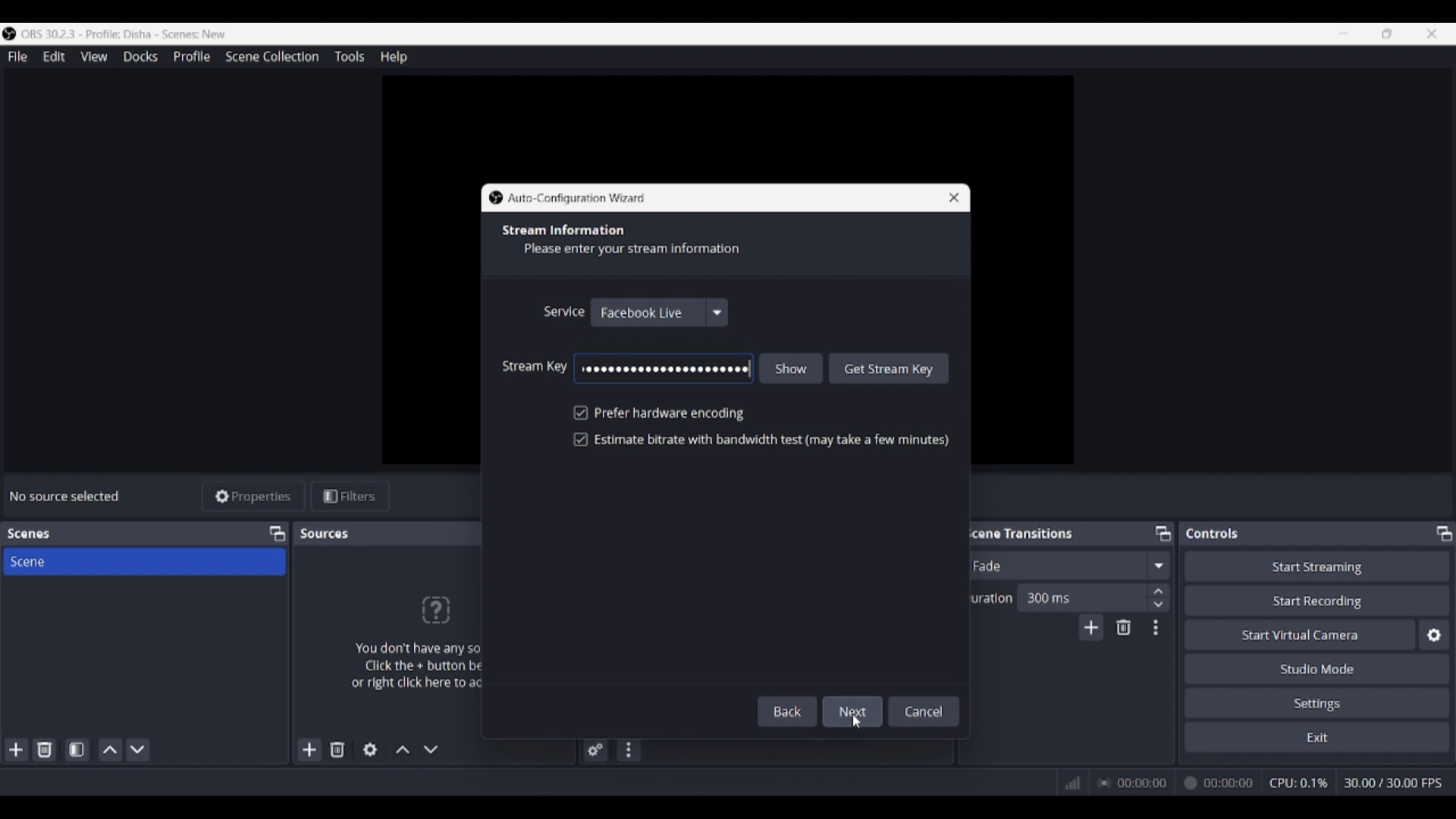 The height and width of the screenshot is (819, 1456). I want to click on Software and project name, so click(130, 34).